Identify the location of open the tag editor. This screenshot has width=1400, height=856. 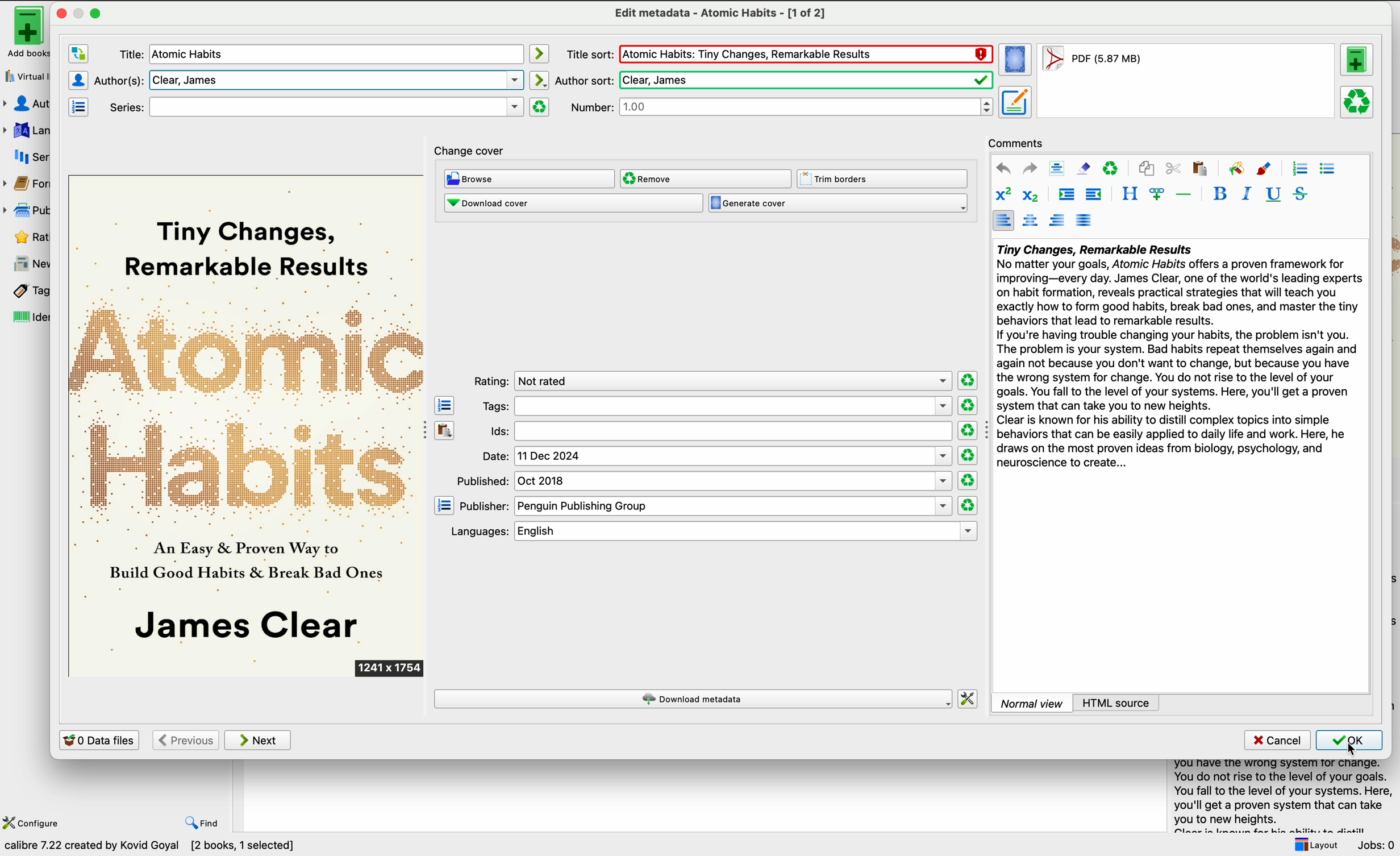
(444, 405).